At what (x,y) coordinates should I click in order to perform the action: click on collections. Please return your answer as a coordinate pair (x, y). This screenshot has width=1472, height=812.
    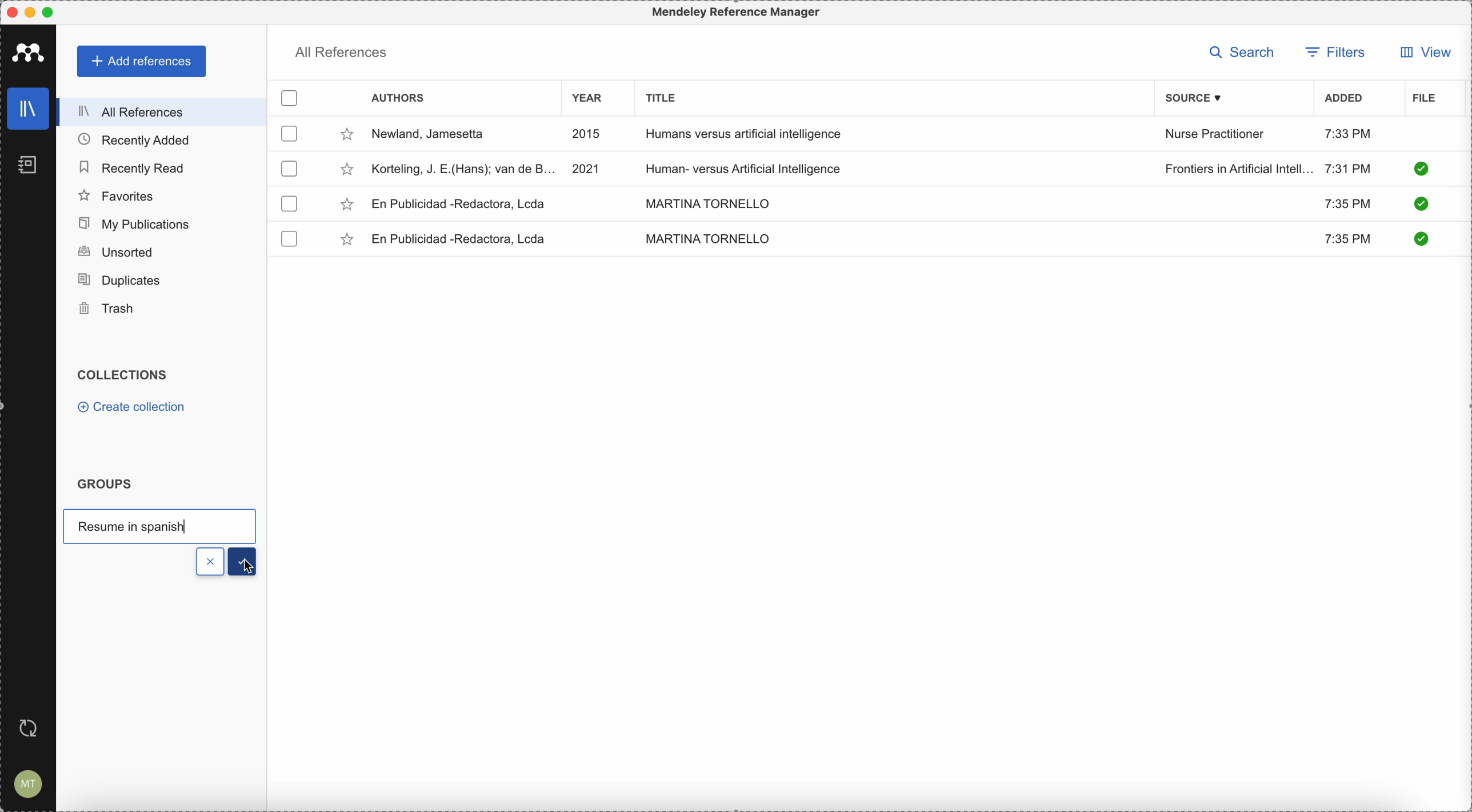
    Looking at the image, I should click on (125, 375).